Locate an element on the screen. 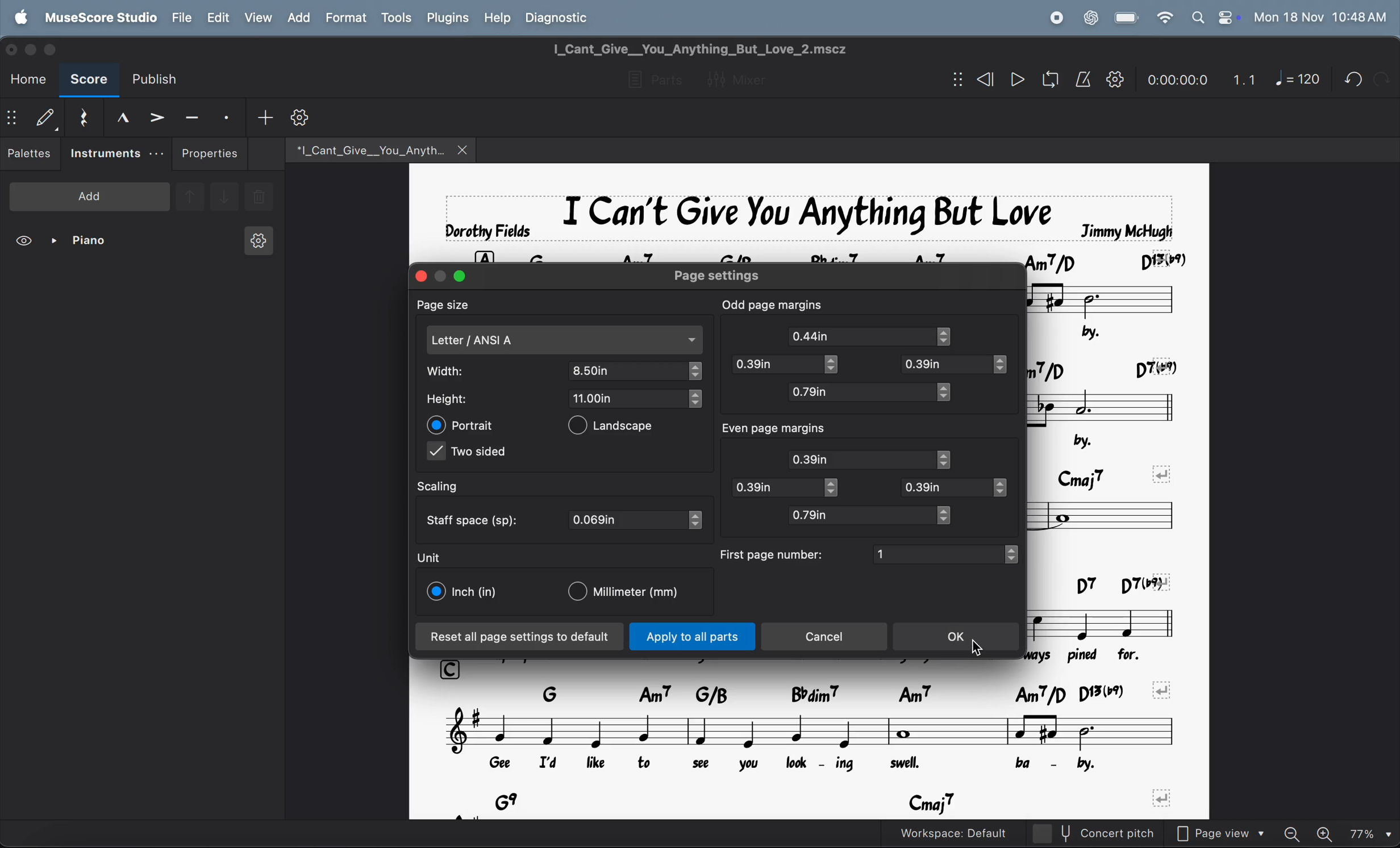  view is located at coordinates (26, 243).